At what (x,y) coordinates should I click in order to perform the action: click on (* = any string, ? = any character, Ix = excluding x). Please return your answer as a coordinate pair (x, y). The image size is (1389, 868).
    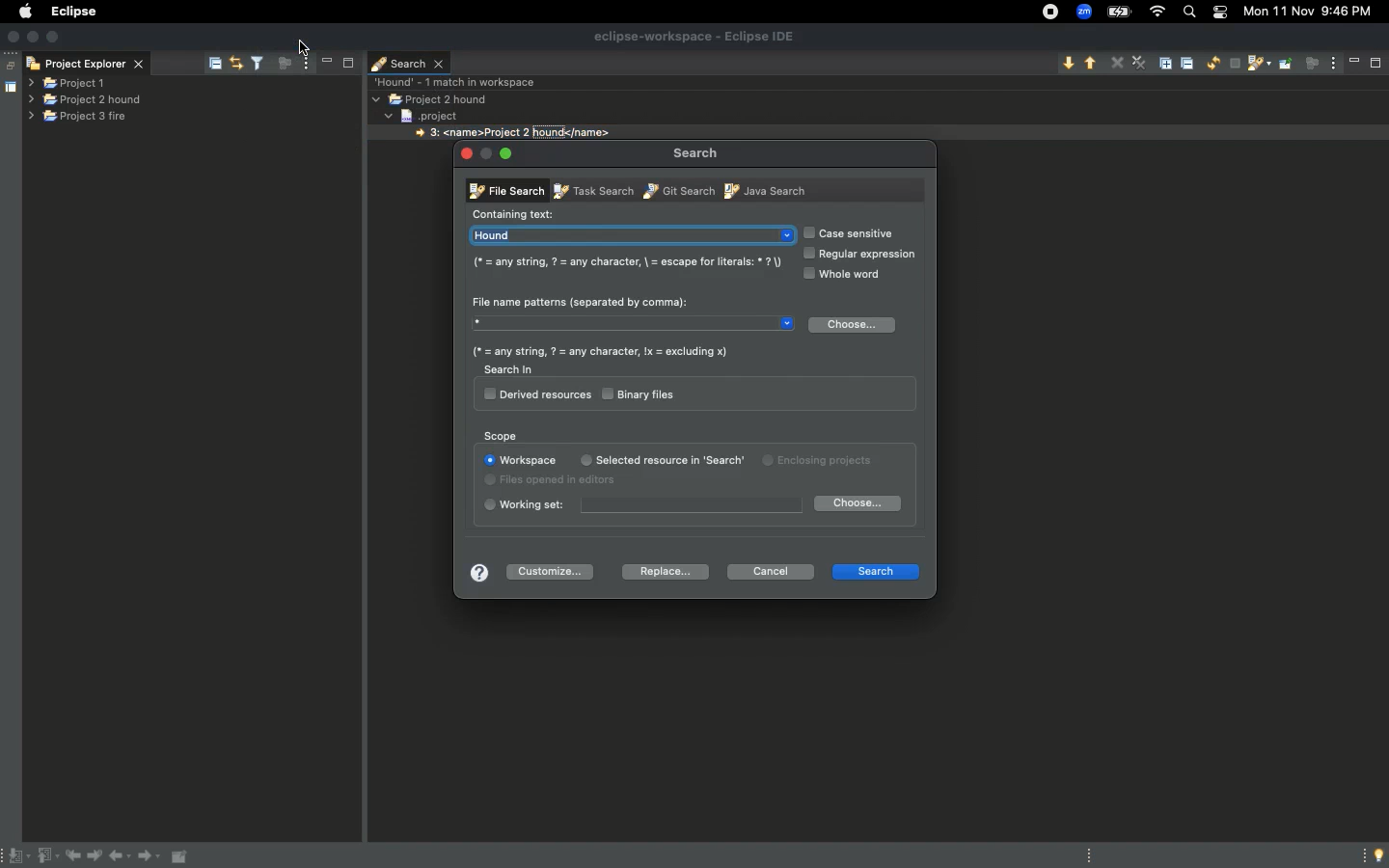
    Looking at the image, I should click on (600, 351).